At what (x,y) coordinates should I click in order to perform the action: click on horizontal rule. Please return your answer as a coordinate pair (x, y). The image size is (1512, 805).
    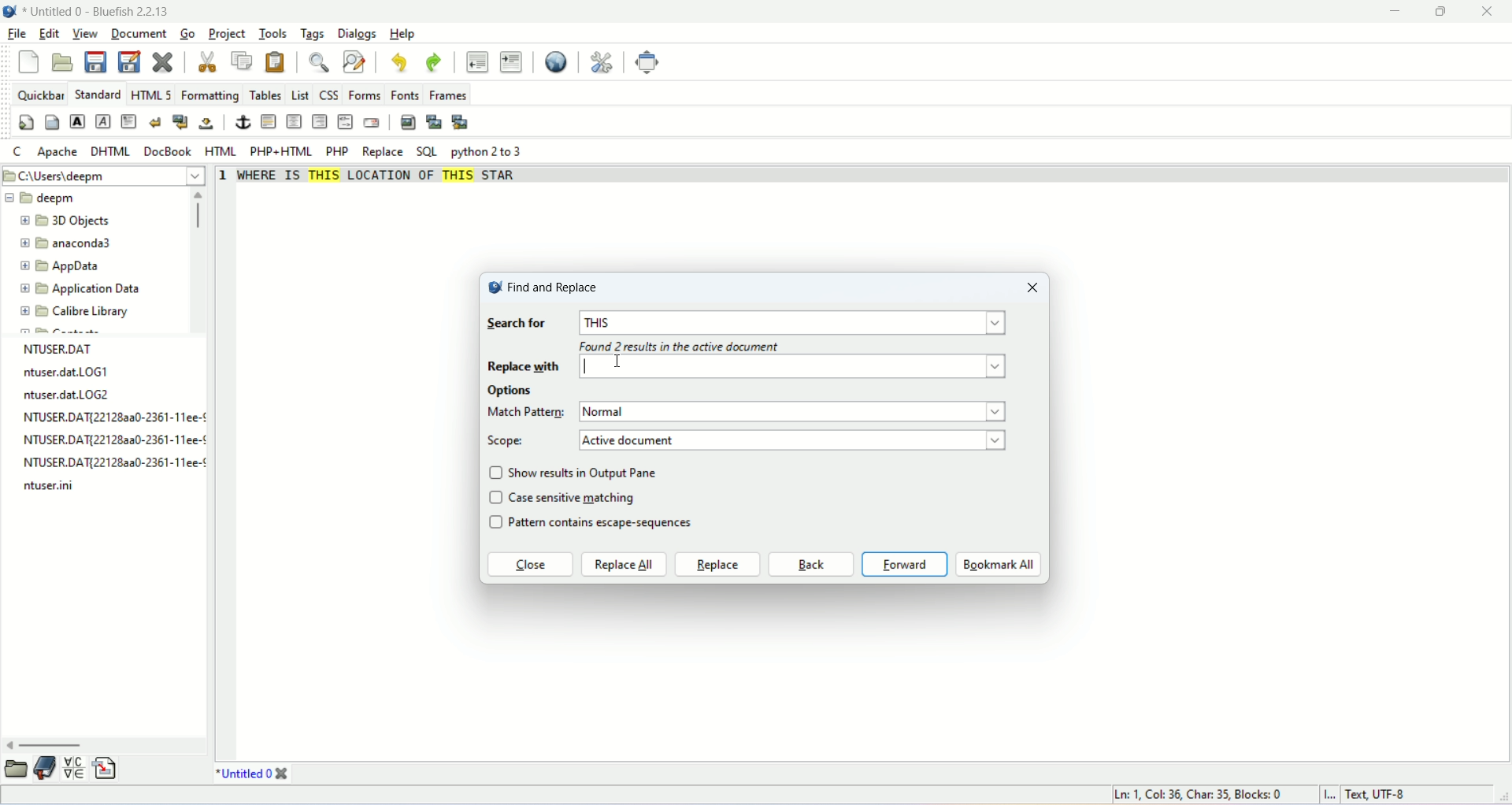
    Looking at the image, I should click on (270, 121).